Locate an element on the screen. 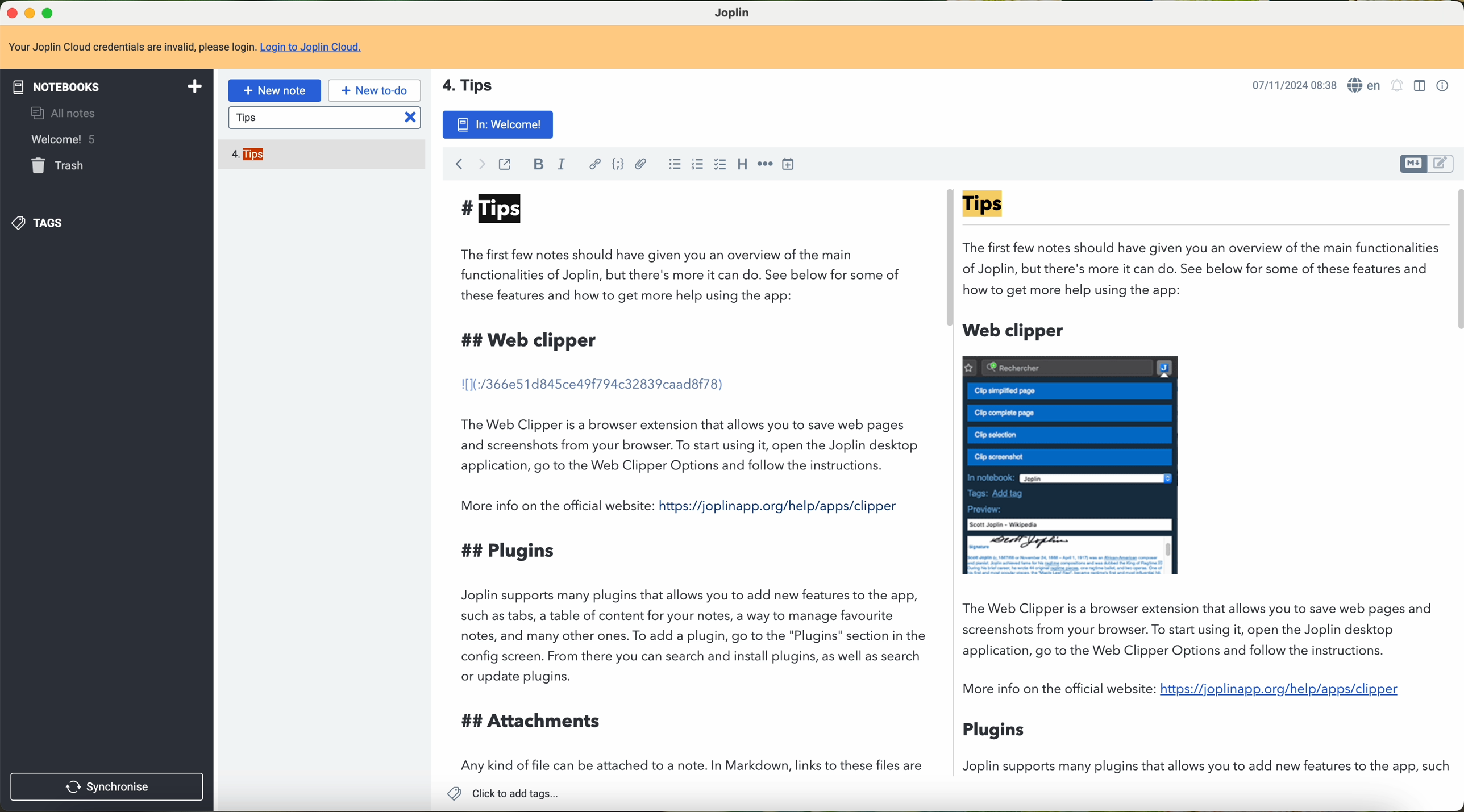  Your Joplin Cloud credentials are invalid, please log in to Joplin Cloud is located at coordinates (732, 48).